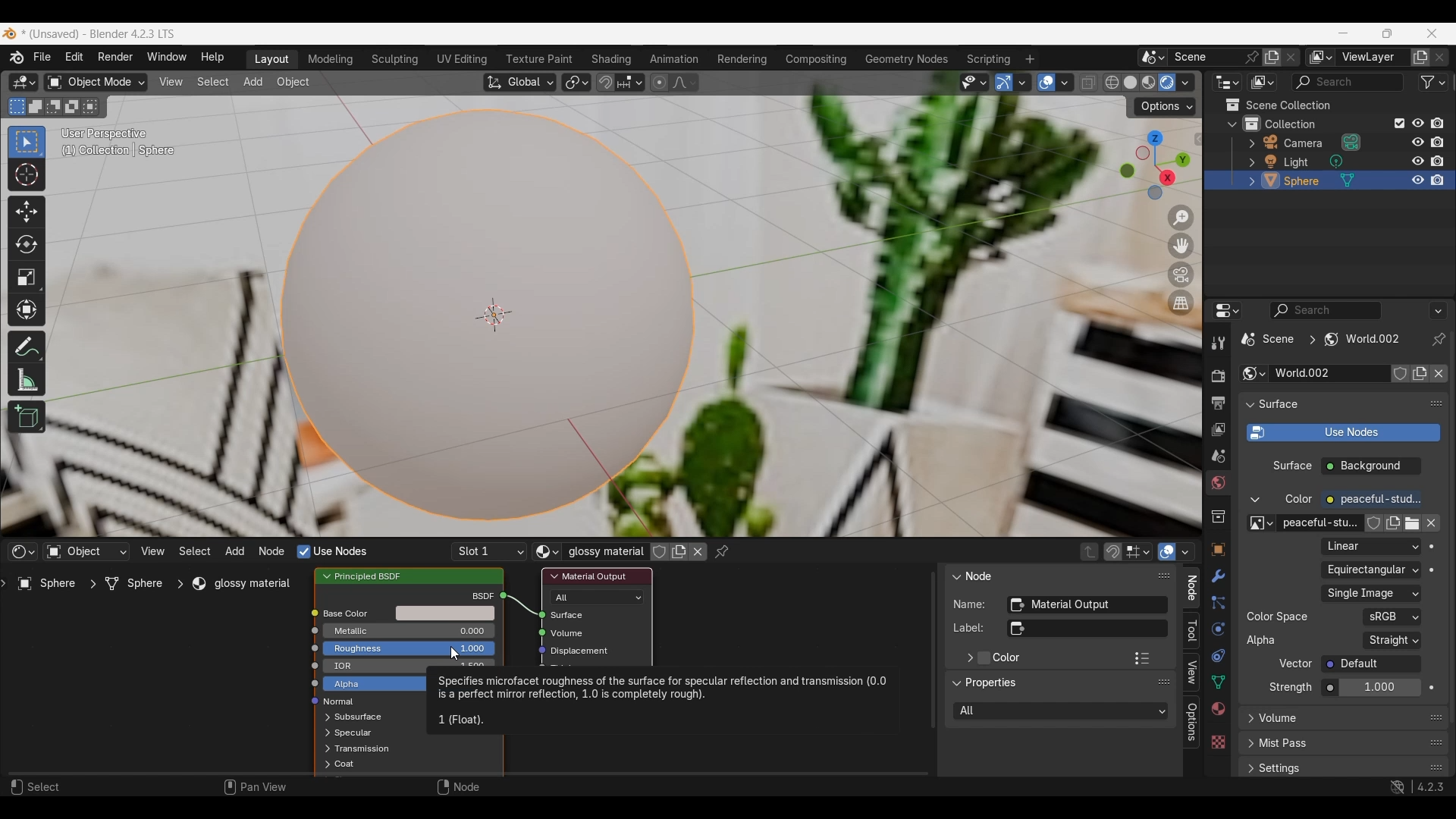  Describe the element at coordinates (968, 657) in the screenshot. I see `Expand` at that location.